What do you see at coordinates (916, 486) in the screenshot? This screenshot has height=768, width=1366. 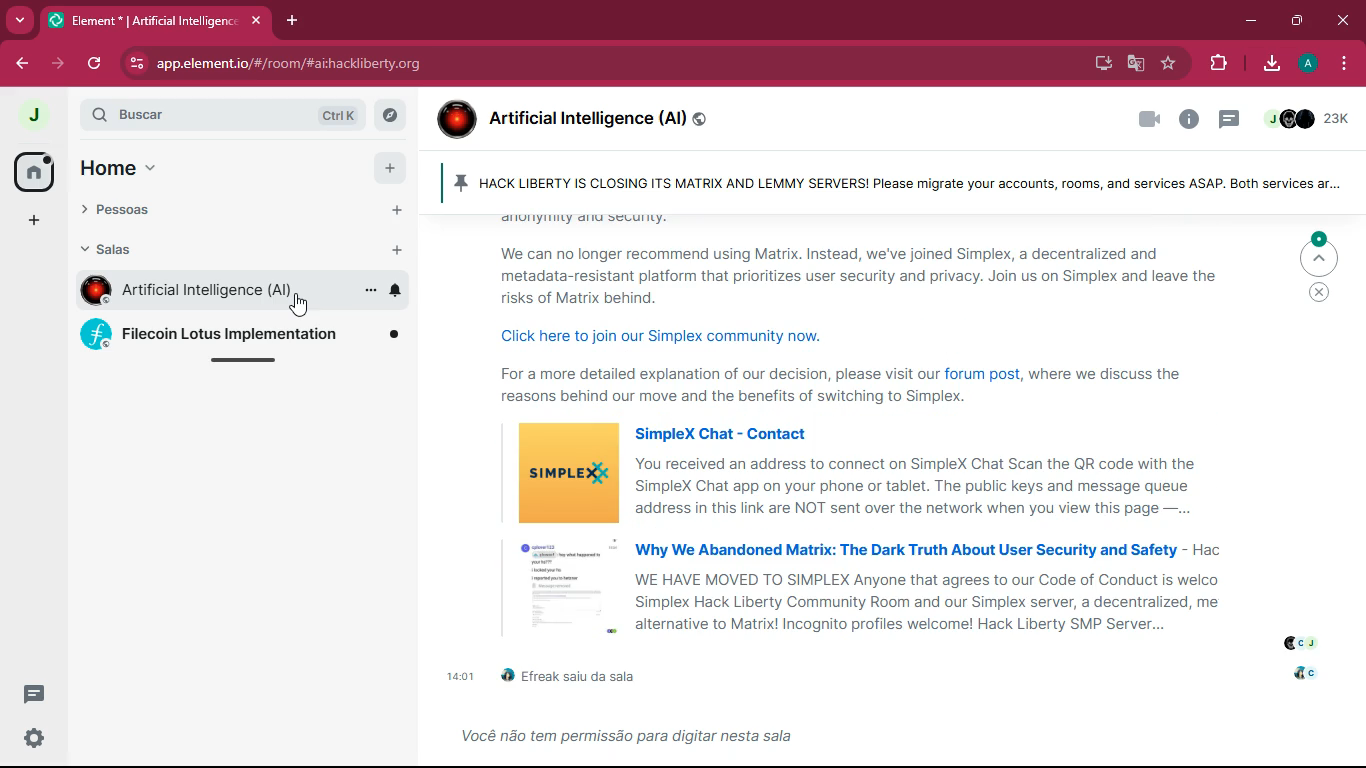 I see `You received an address to connect on Simplex Chat Scan the QR code with the Simplex Chat app on your phone or tablet. The public keys and message queue address in this link are NOT sent over the network when you view this page-...` at bounding box center [916, 486].